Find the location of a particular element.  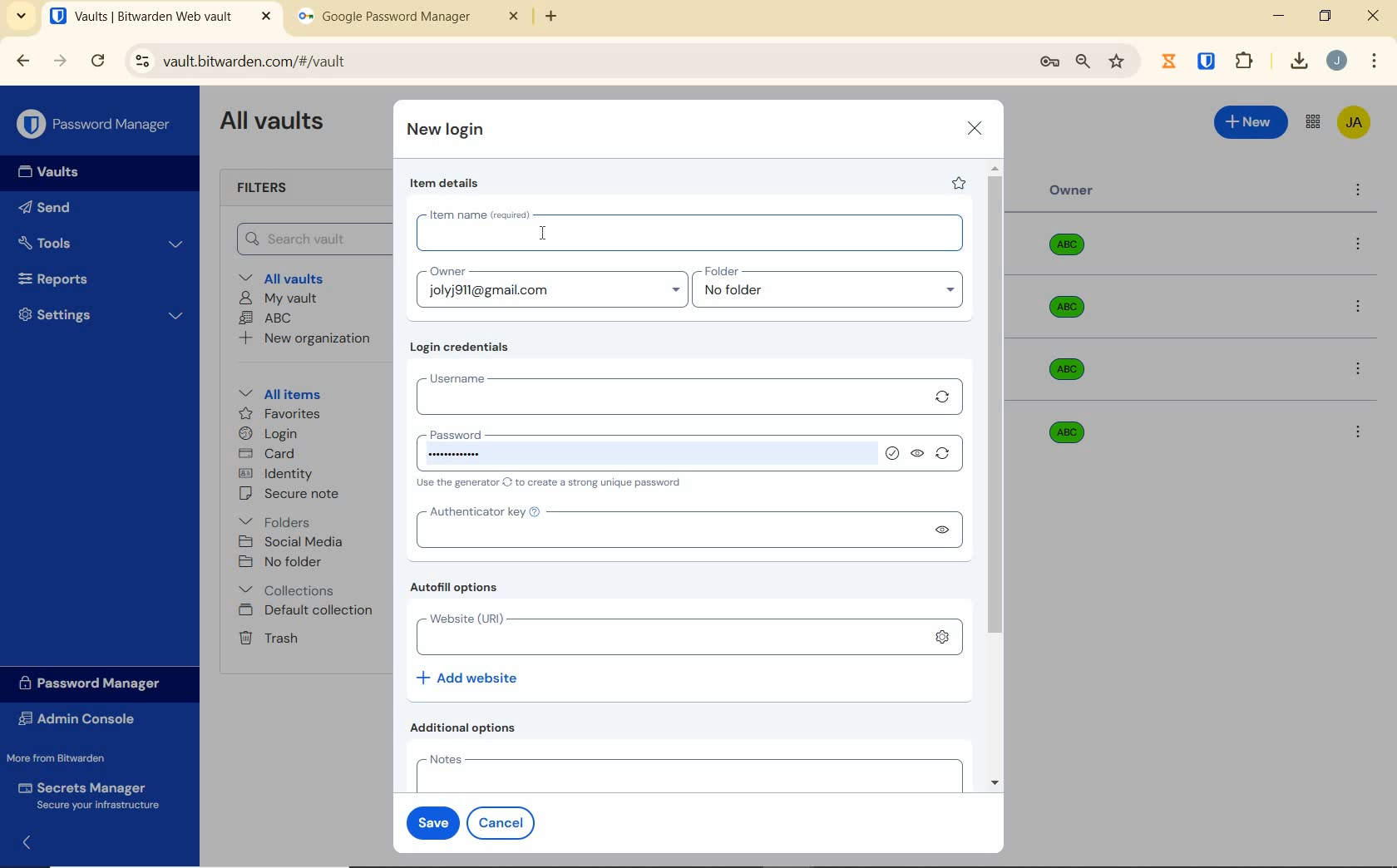

Vaults is located at coordinates (53, 172).